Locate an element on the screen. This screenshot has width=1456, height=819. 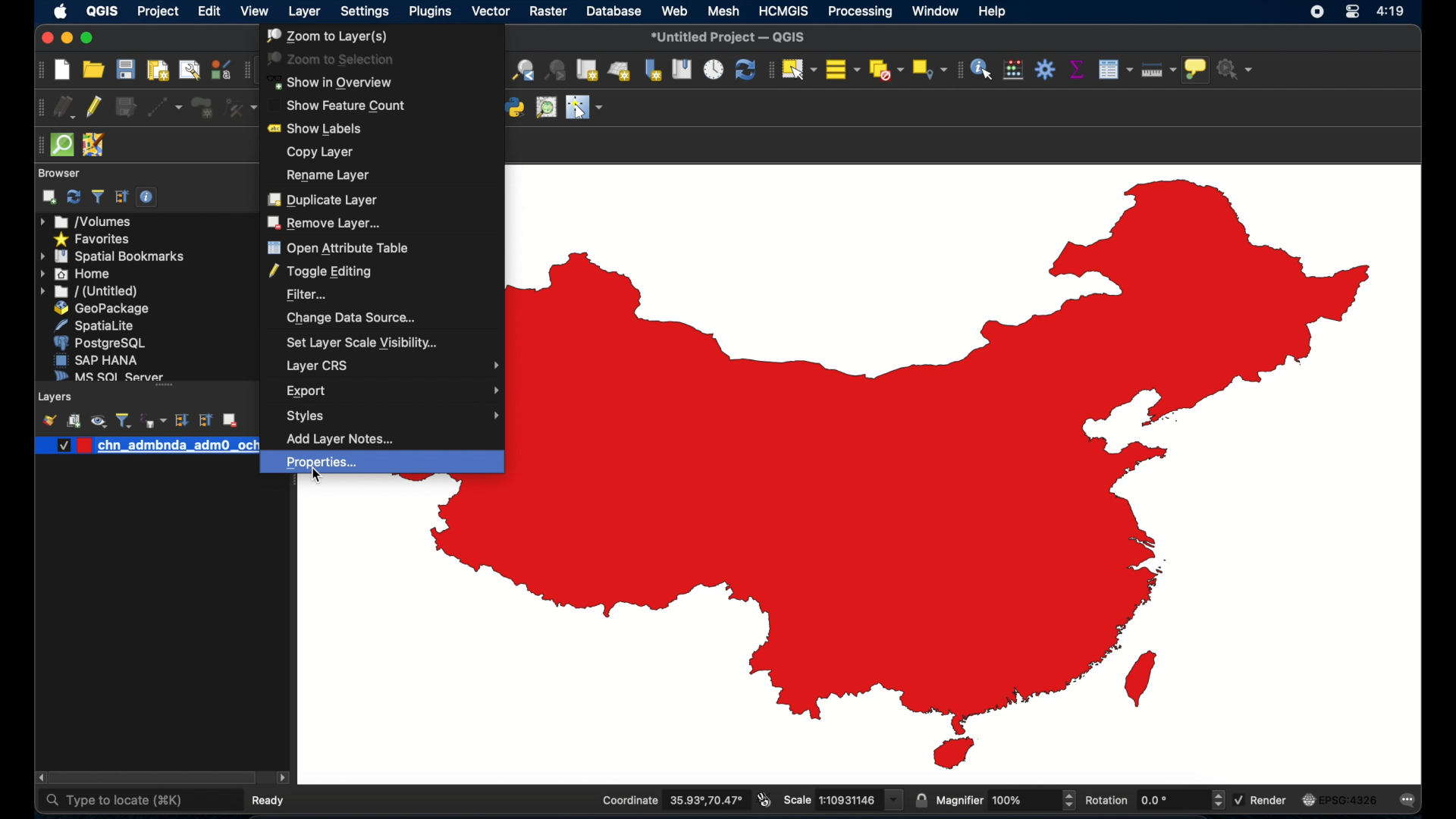
open field calculator is located at coordinates (1012, 70).